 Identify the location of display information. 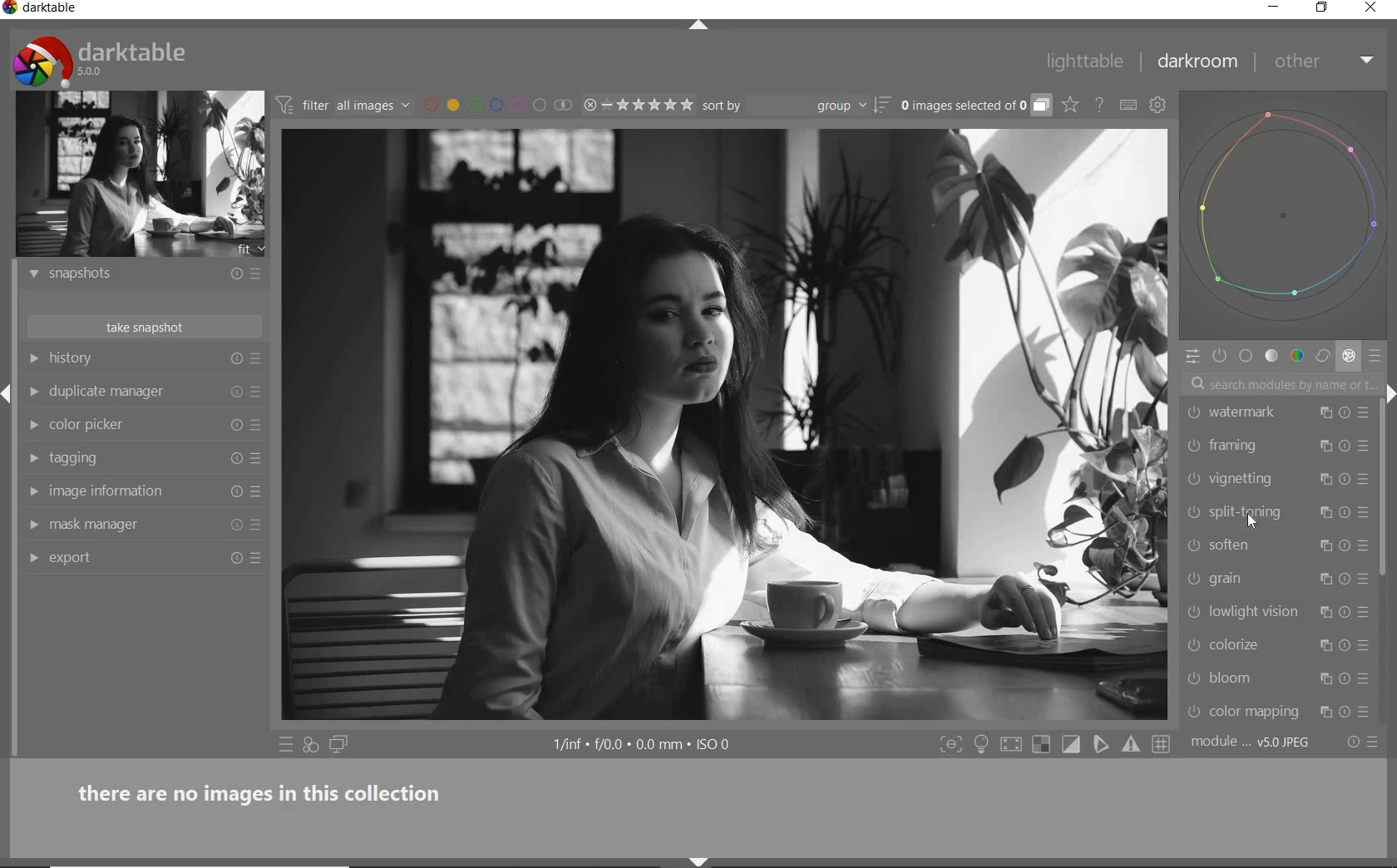
(644, 746).